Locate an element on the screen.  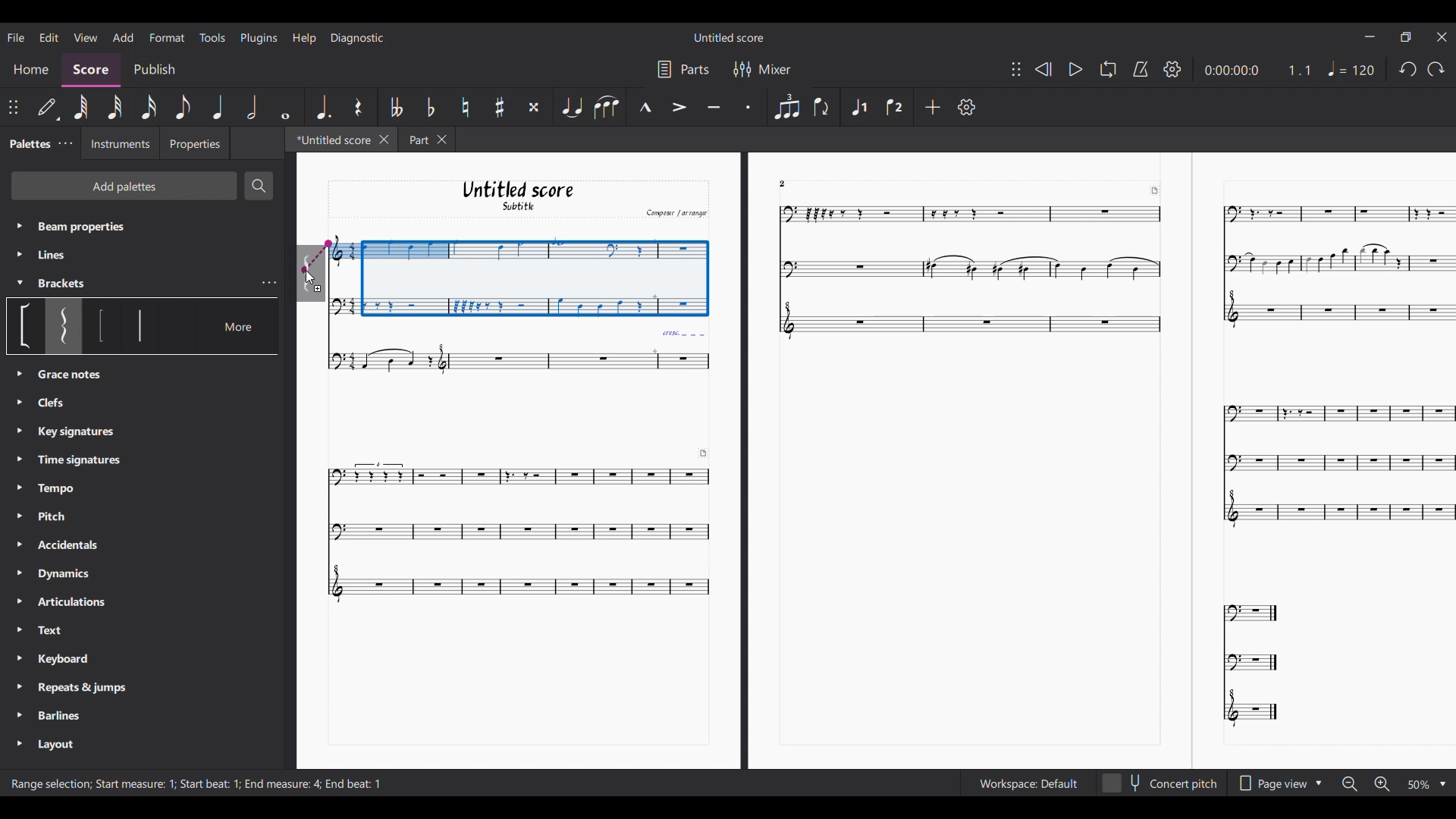
Edit is located at coordinates (49, 37).